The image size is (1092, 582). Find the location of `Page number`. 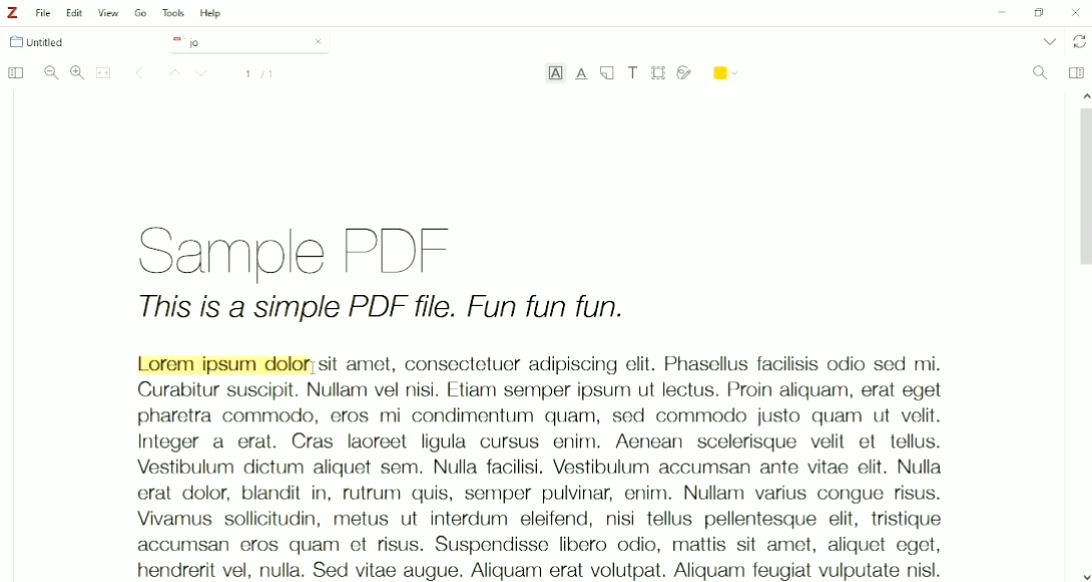

Page number is located at coordinates (260, 74).